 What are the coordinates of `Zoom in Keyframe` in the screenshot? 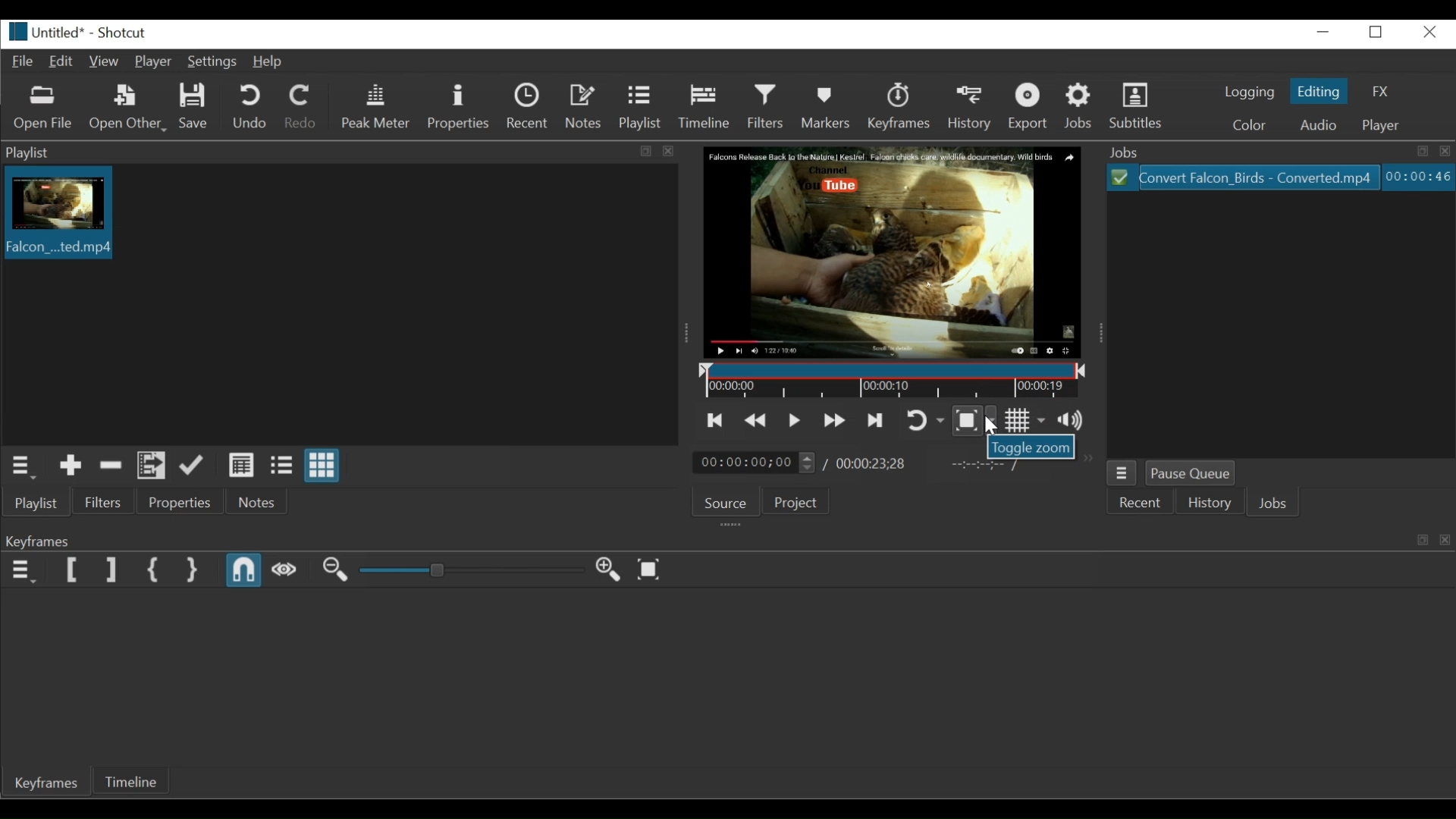 It's located at (336, 571).